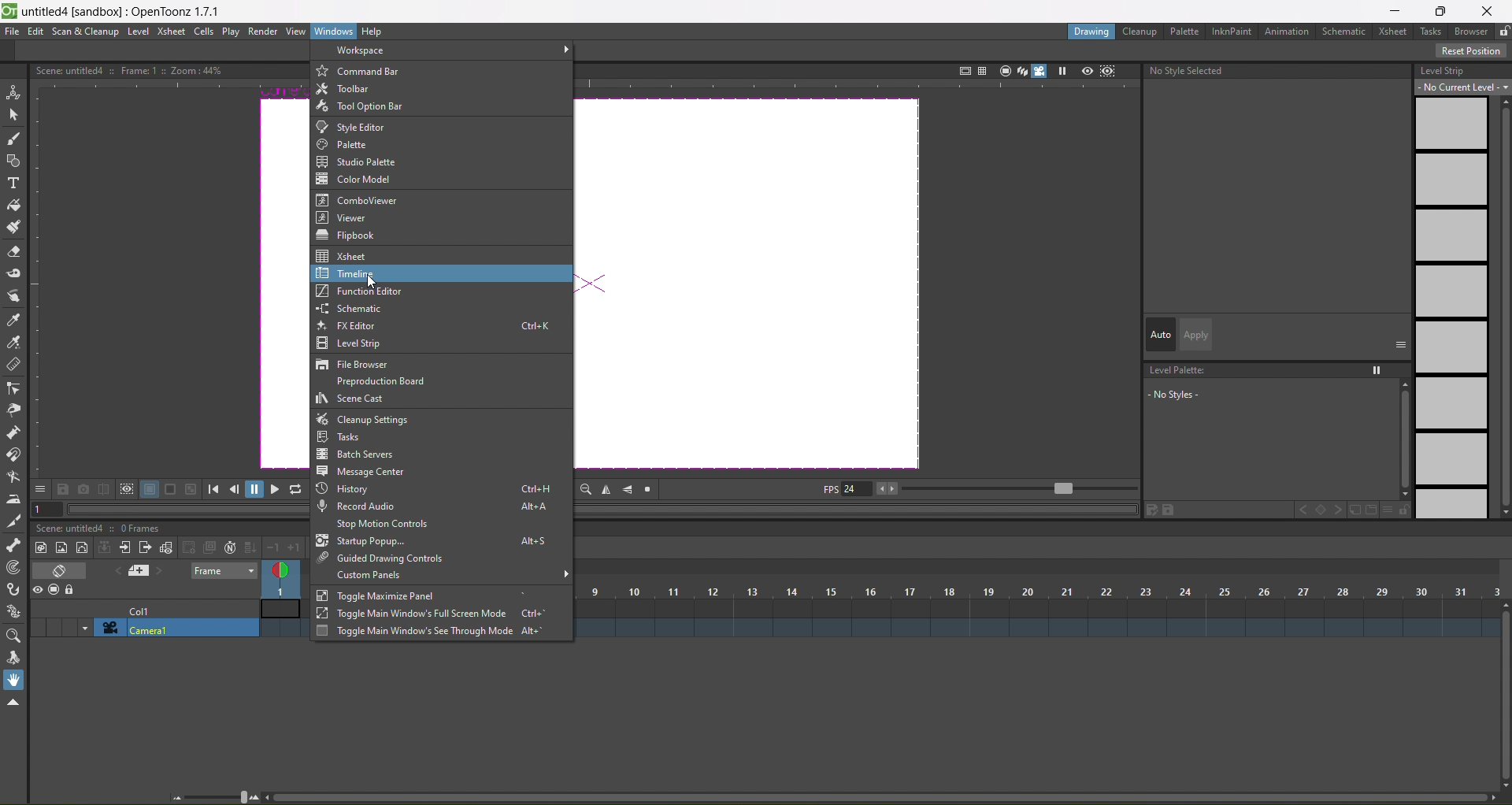 This screenshot has width=1512, height=805. Describe the element at coordinates (445, 327) in the screenshot. I see `fx editor` at that location.